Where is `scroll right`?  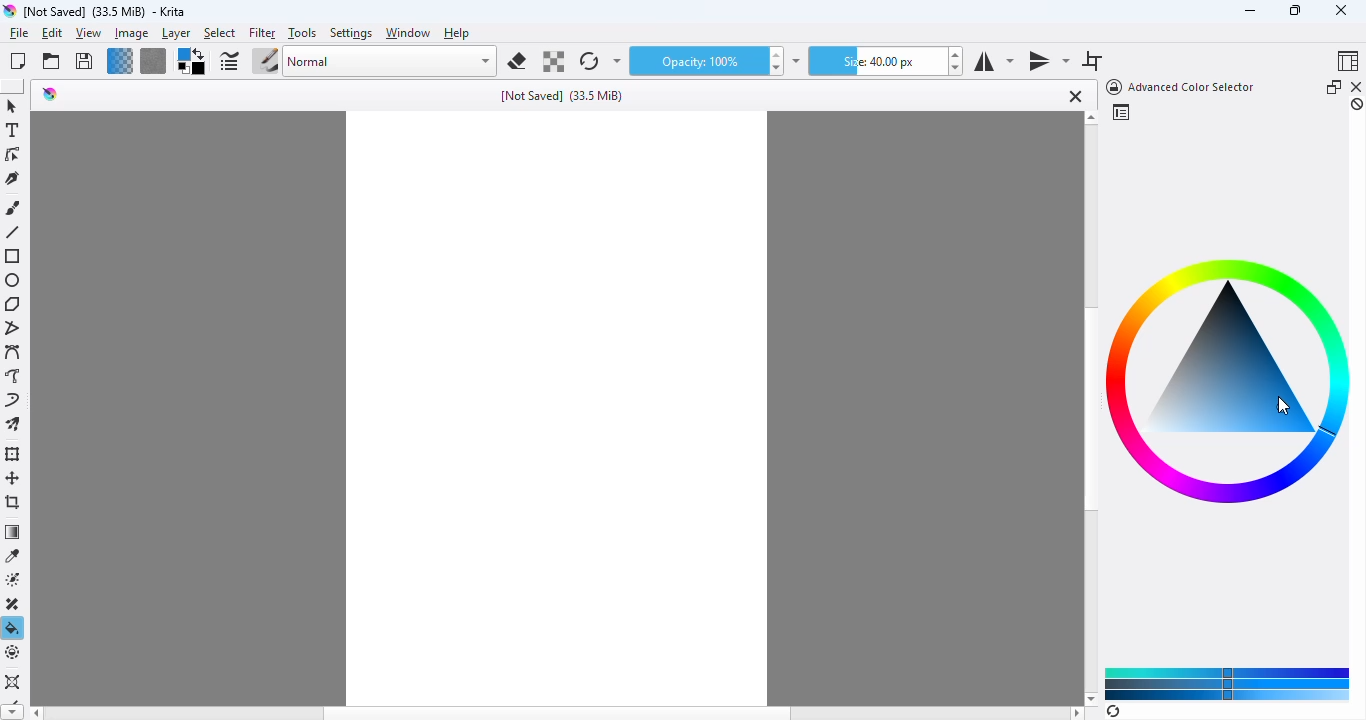
scroll right is located at coordinates (1077, 713).